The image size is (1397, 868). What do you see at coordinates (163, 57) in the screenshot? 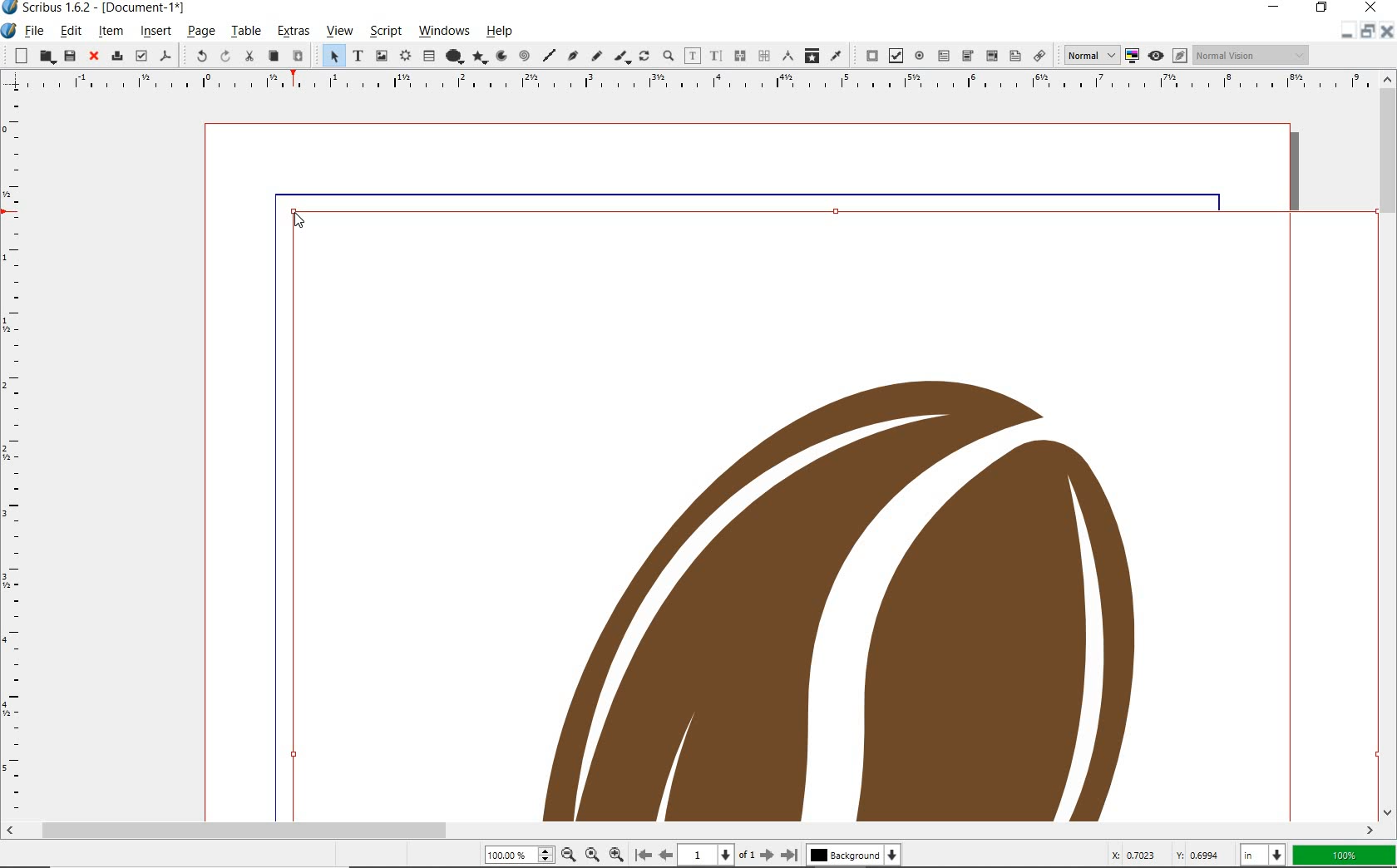
I see `save as pdf` at bounding box center [163, 57].